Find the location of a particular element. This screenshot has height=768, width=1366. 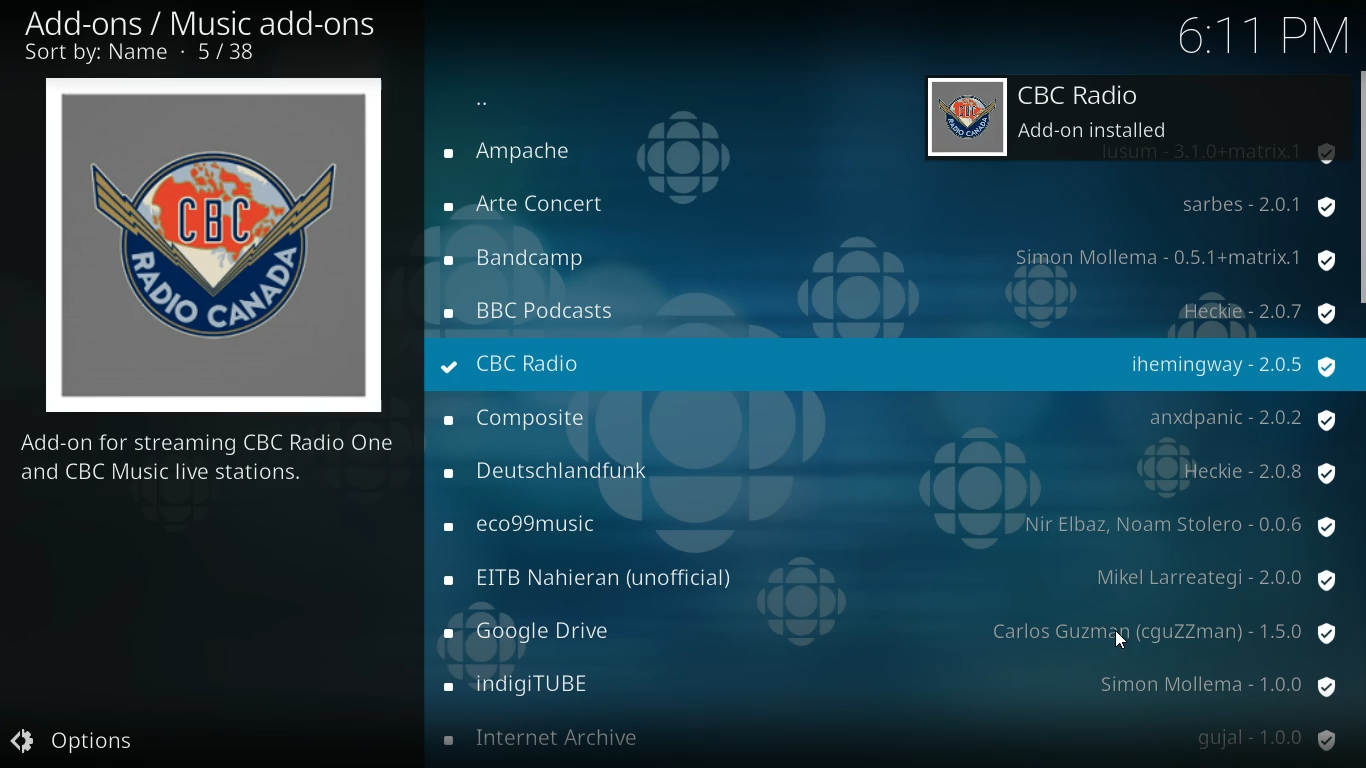

radio name is located at coordinates (544, 628).